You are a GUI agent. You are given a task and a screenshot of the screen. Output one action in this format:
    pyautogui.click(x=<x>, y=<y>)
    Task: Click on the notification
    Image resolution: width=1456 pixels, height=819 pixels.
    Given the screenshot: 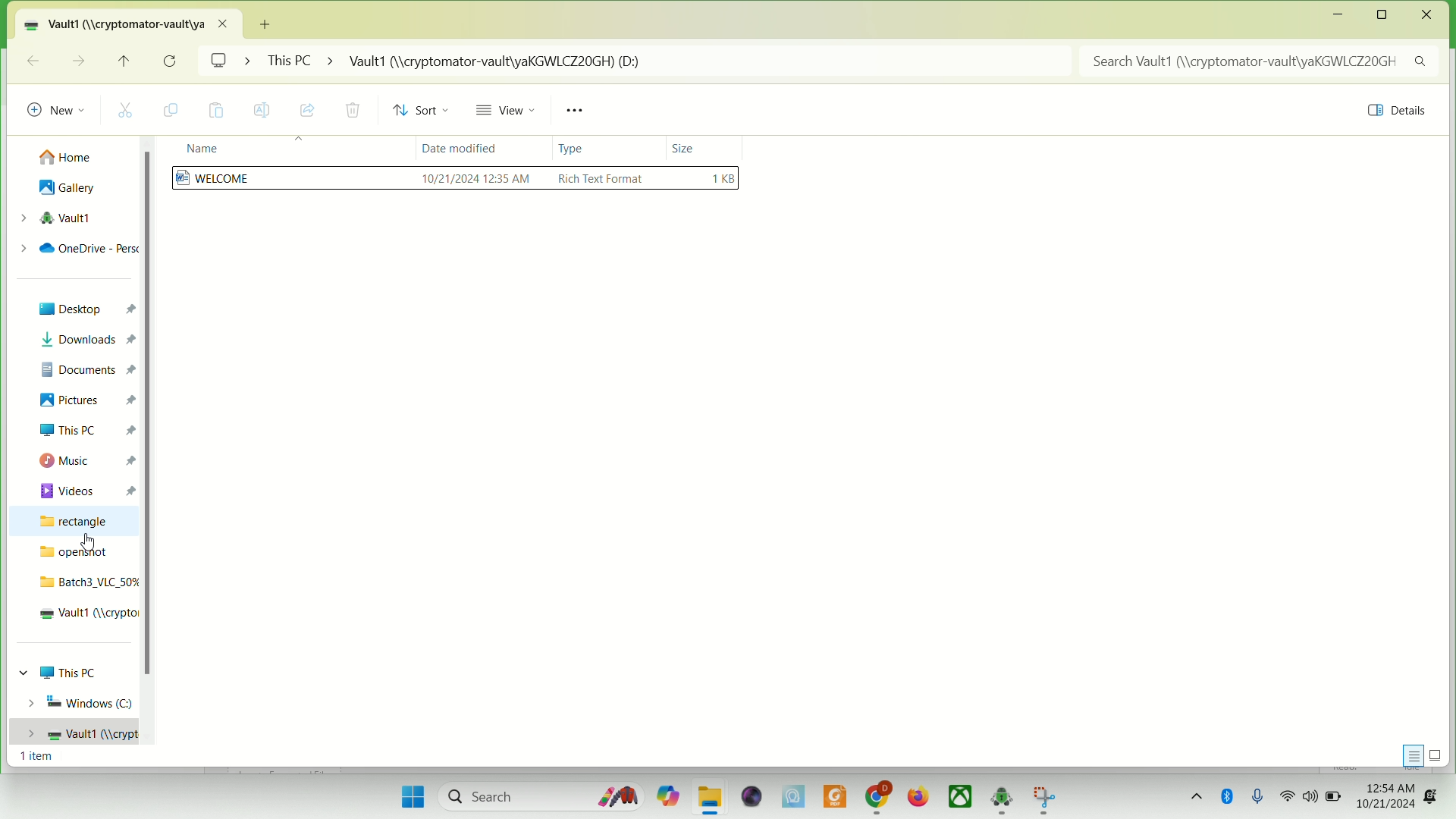 What is the action you would take?
    pyautogui.click(x=1436, y=790)
    